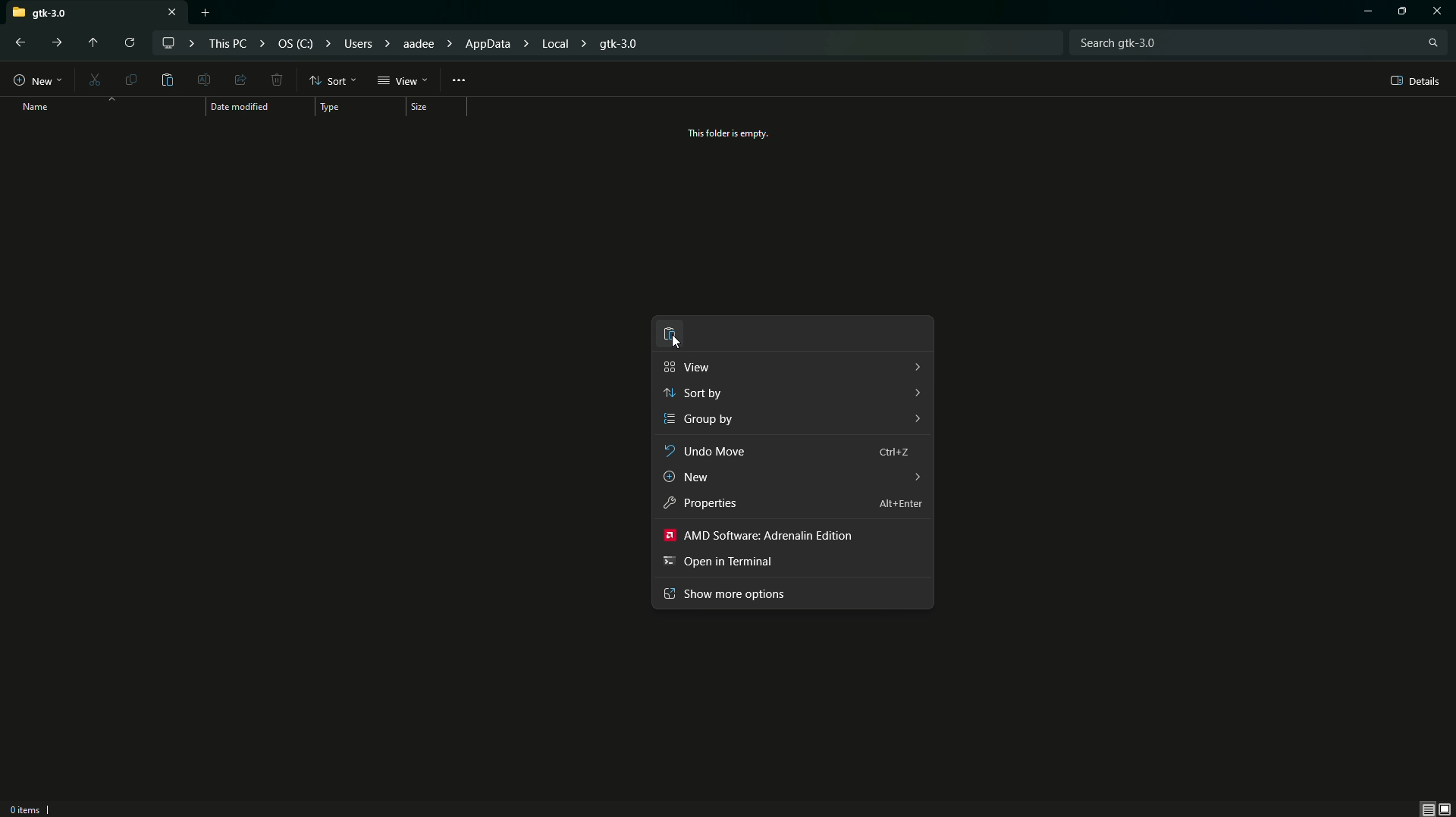 The width and height of the screenshot is (1456, 817). What do you see at coordinates (796, 369) in the screenshot?
I see `View` at bounding box center [796, 369].